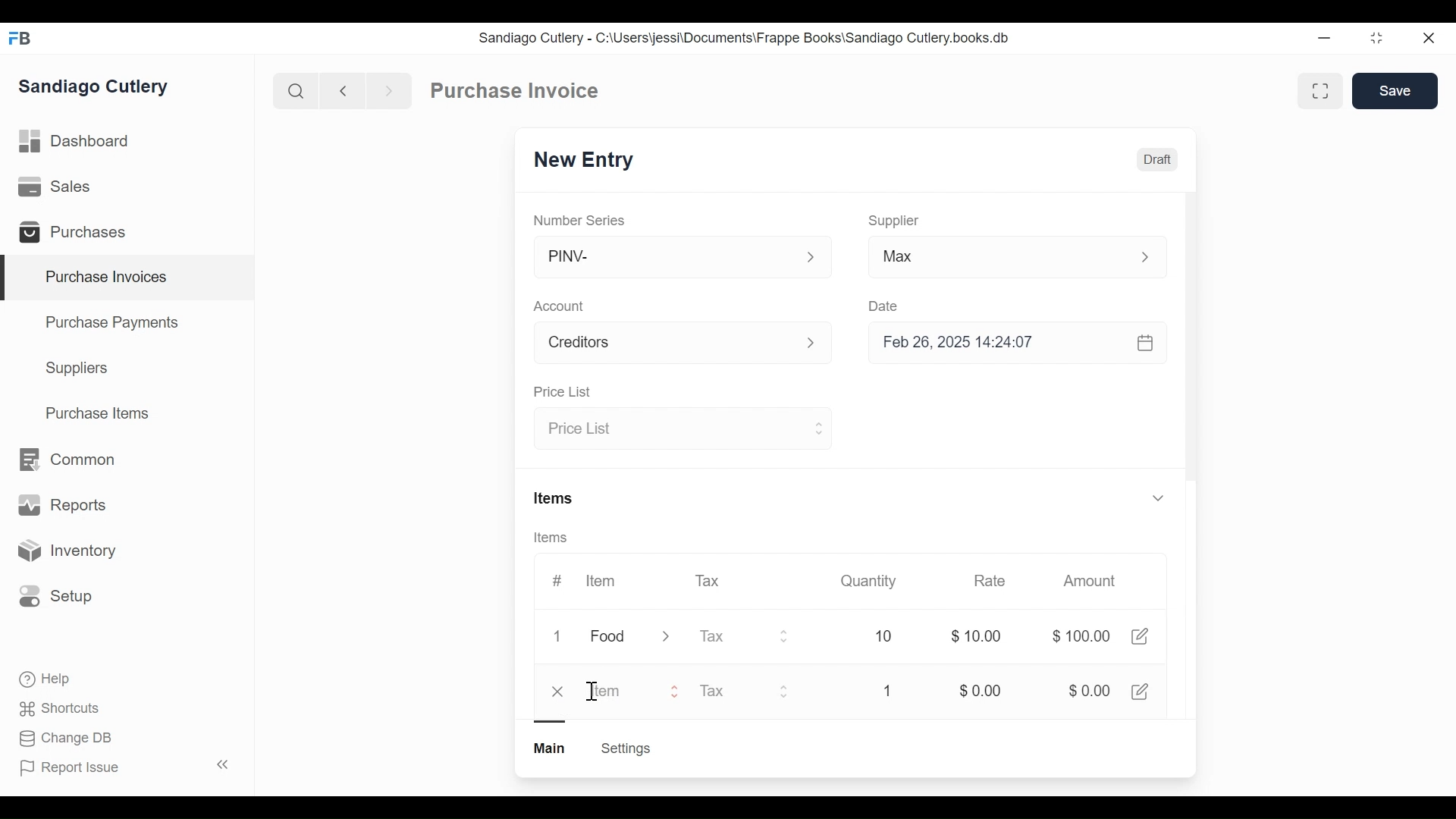  Describe the element at coordinates (561, 393) in the screenshot. I see `Price List` at that location.